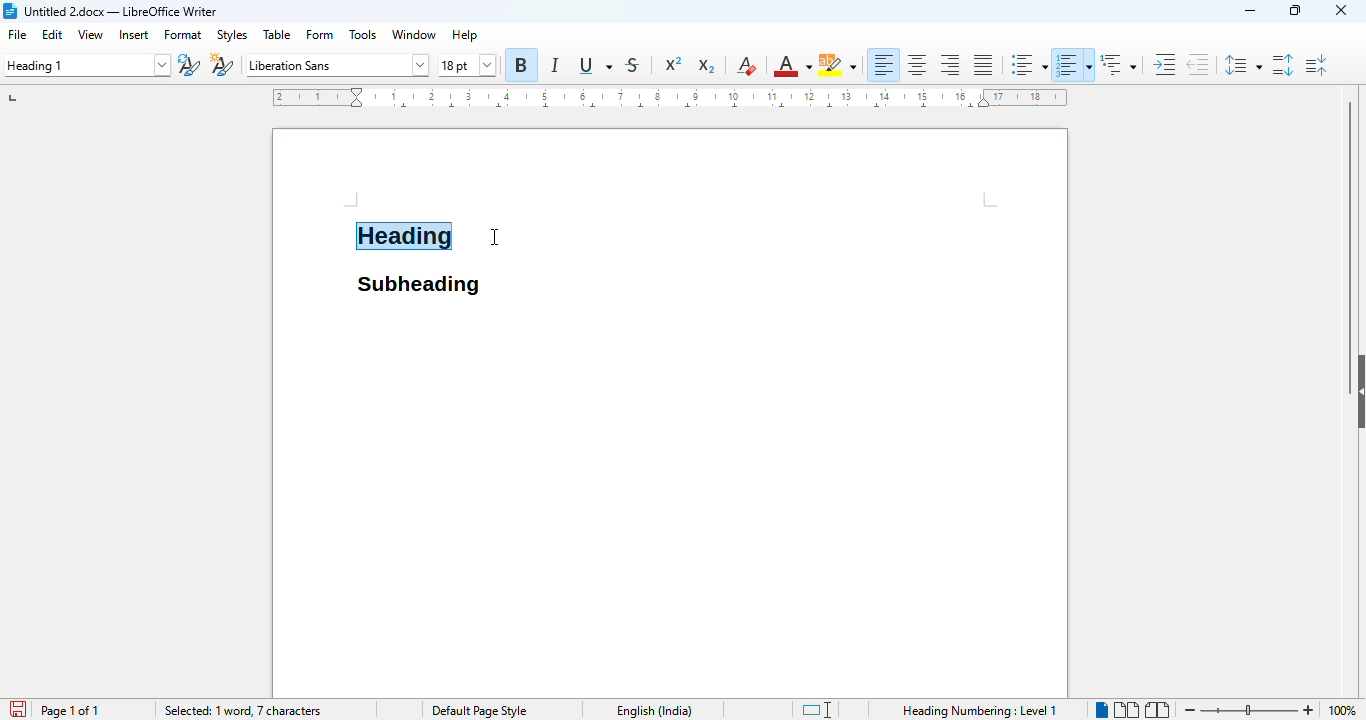 Image resolution: width=1366 pixels, height=720 pixels. What do you see at coordinates (1344, 710) in the screenshot?
I see `zoom factor` at bounding box center [1344, 710].